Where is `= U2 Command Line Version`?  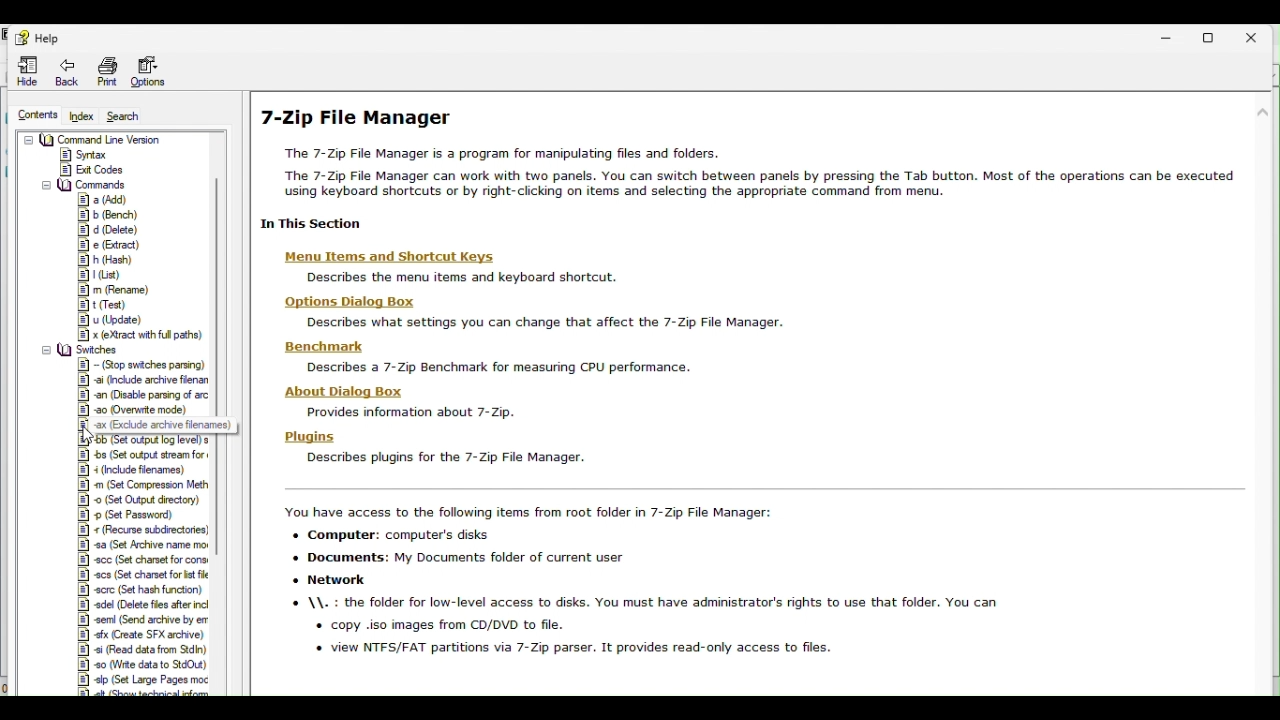
= U2 Command Line Version is located at coordinates (99, 138).